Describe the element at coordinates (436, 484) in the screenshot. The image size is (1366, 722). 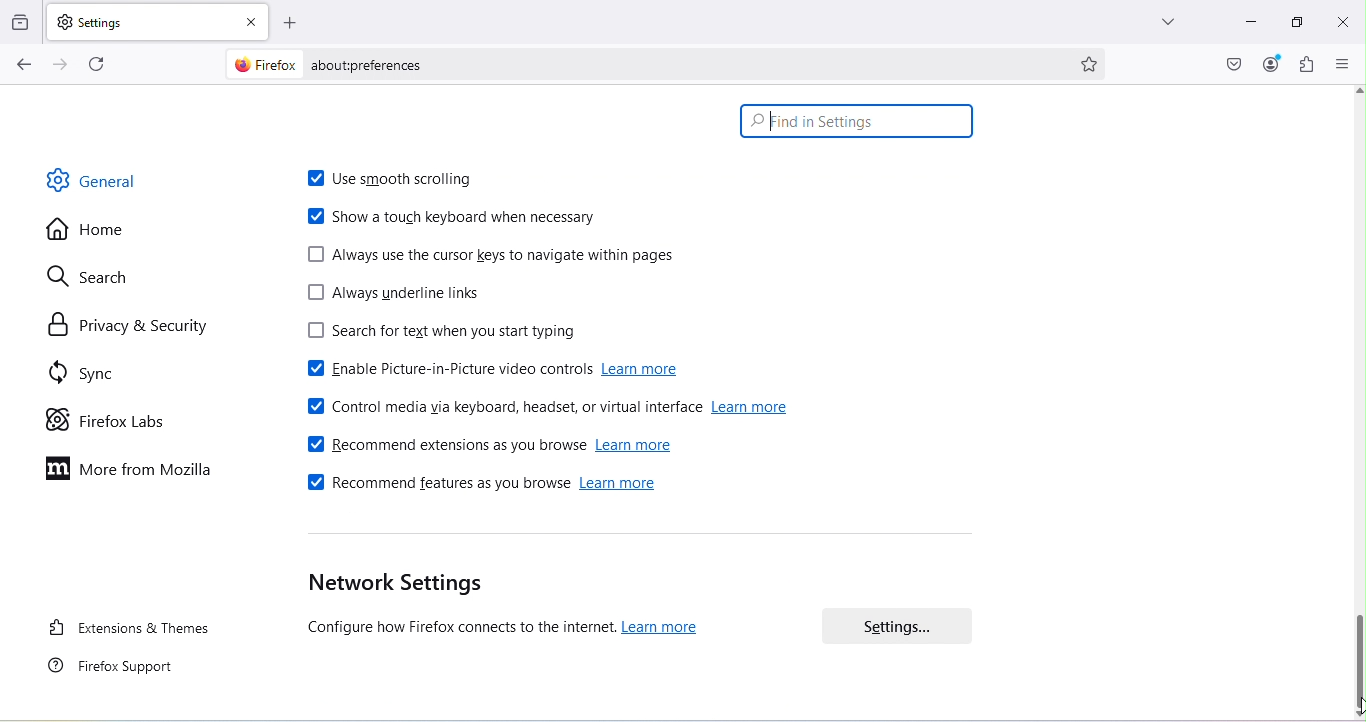
I see `Recommend features as you browse` at that location.